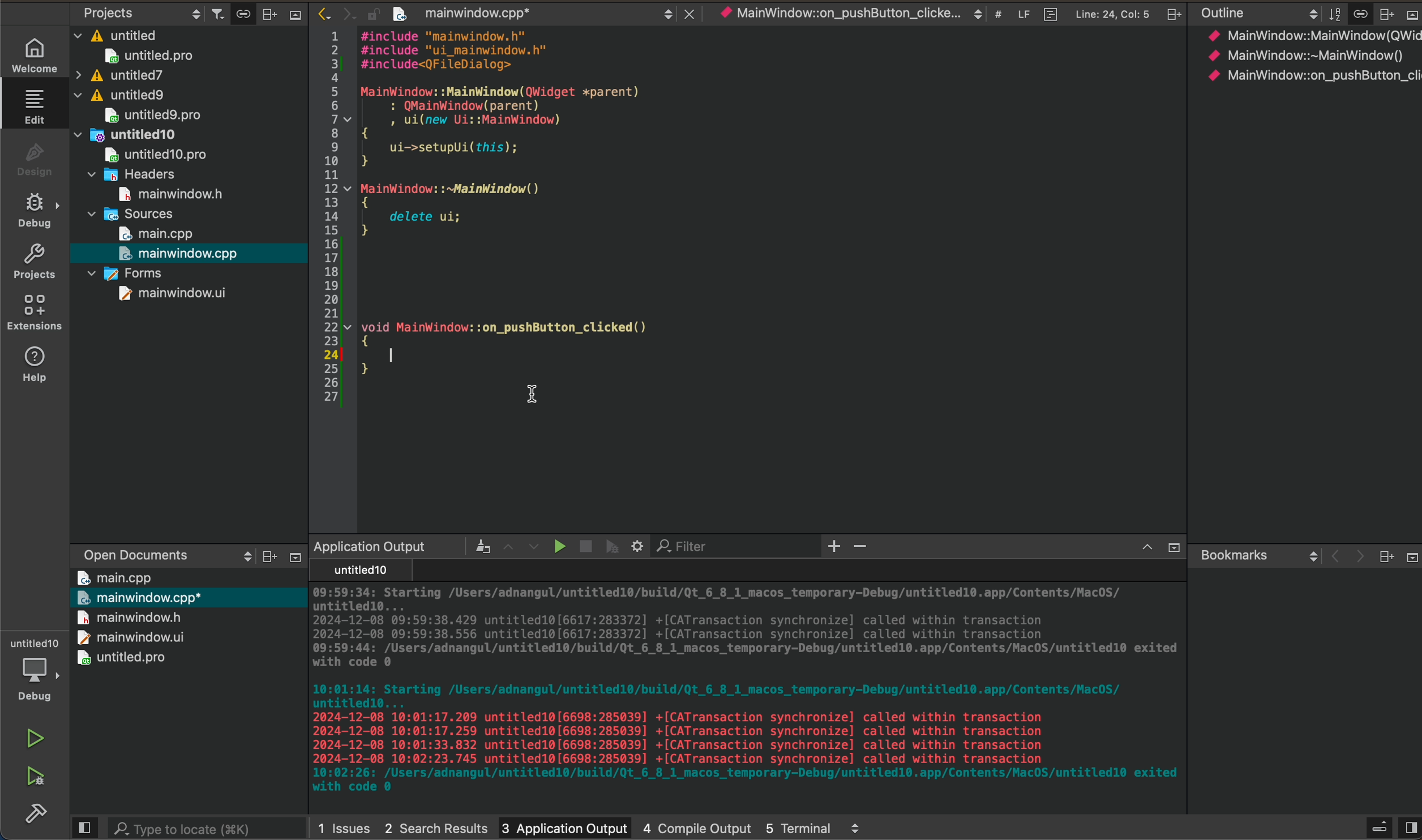 The height and width of the screenshot is (840, 1422). Describe the element at coordinates (666, 12) in the screenshot. I see `Scroll` at that location.